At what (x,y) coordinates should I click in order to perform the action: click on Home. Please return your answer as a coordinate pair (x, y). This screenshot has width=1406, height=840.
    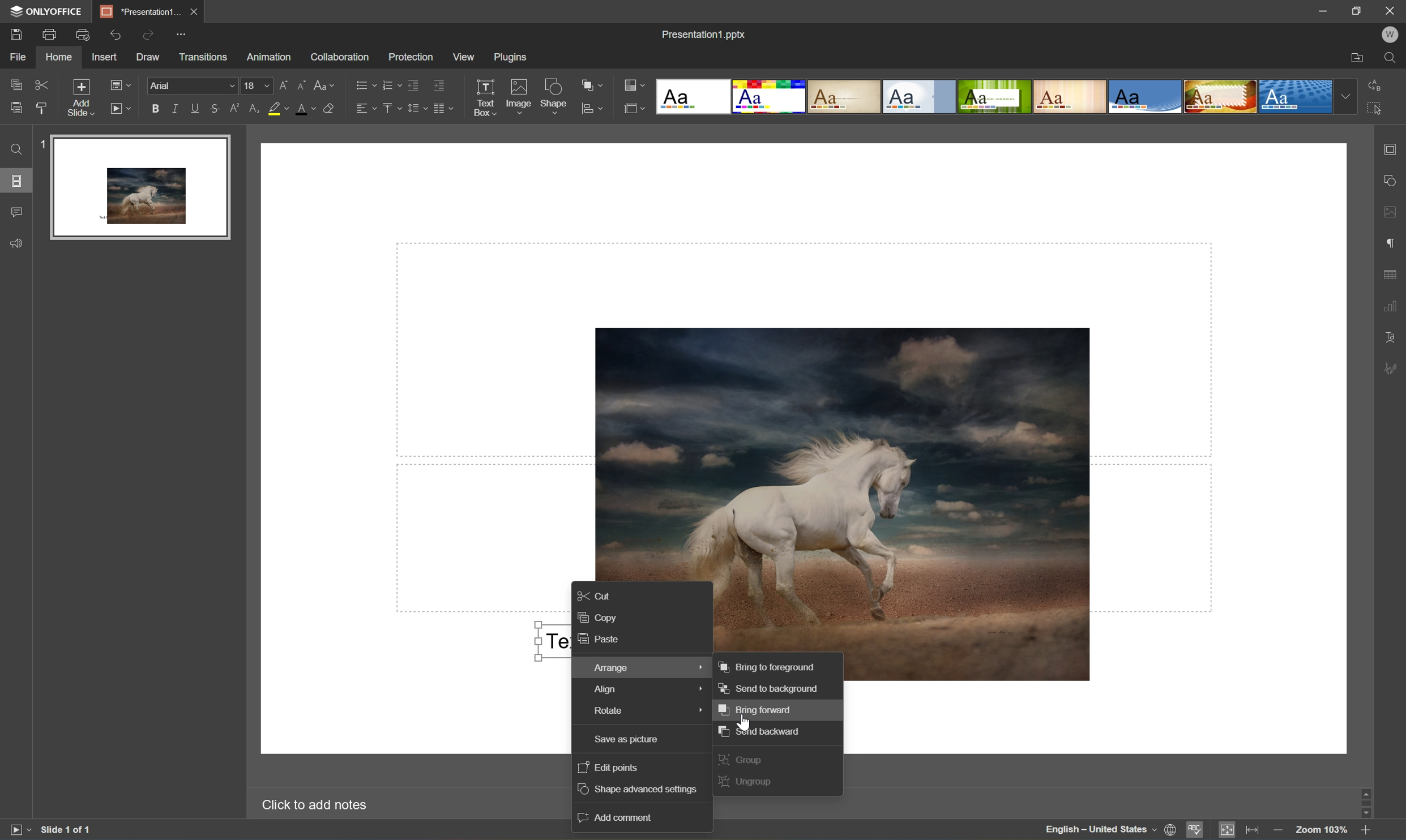
    Looking at the image, I should click on (60, 58).